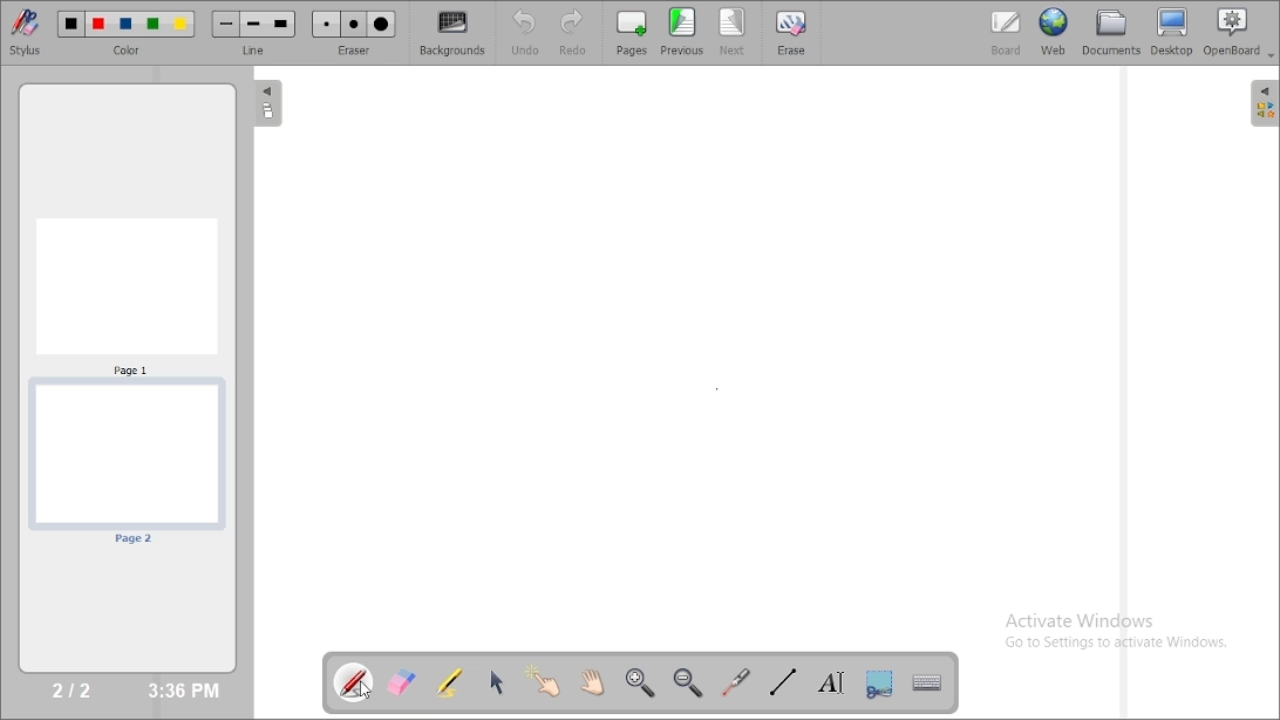 This screenshot has width=1280, height=720. I want to click on 3:36 PM, so click(182, 691).